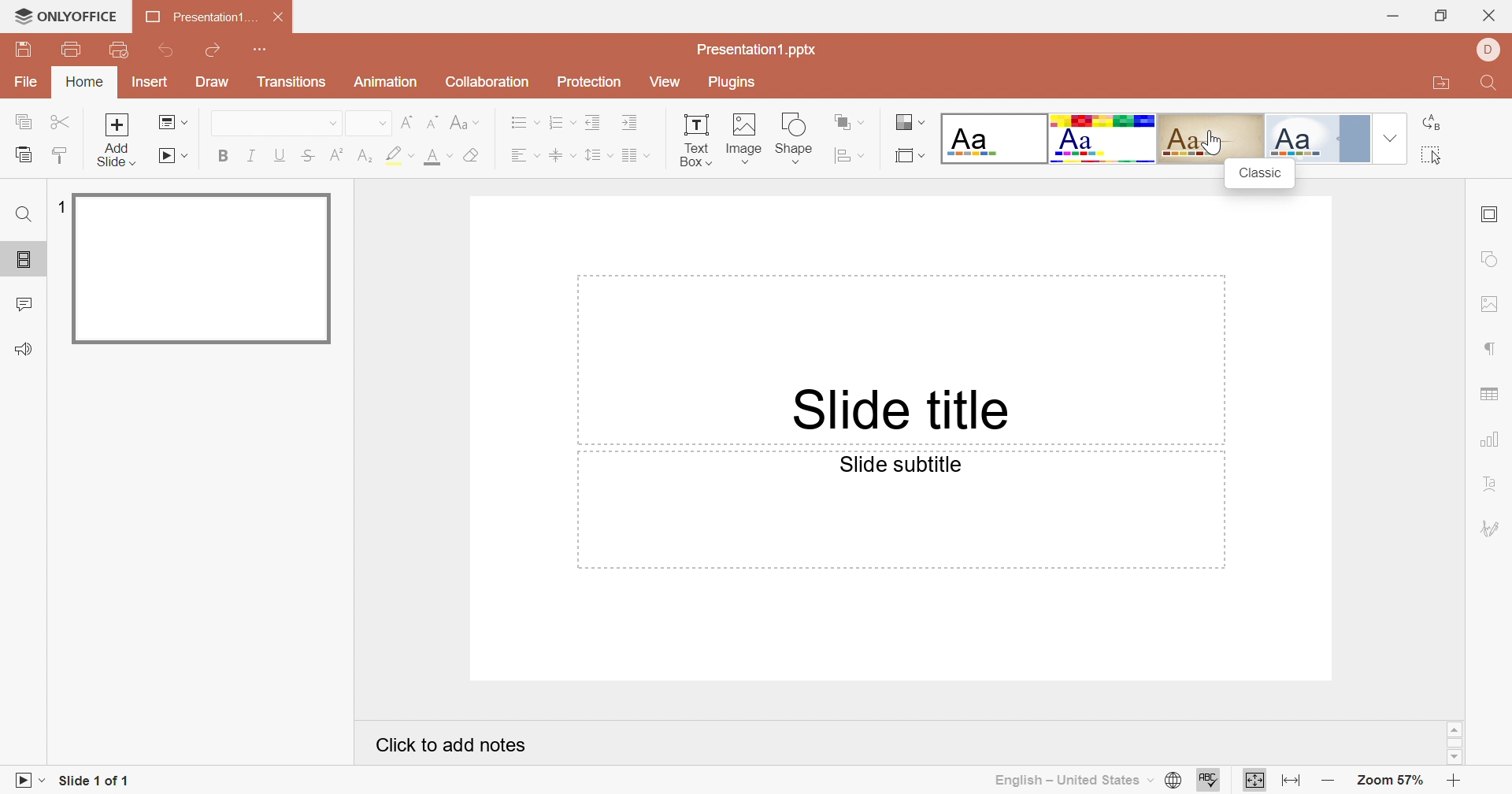 Image resolution: width=1512 pixels, height=794 pixels. What do you see at coordinates (199, 266) in the screenshot?
I see `Slide 1` at bounding box center [199, 266].